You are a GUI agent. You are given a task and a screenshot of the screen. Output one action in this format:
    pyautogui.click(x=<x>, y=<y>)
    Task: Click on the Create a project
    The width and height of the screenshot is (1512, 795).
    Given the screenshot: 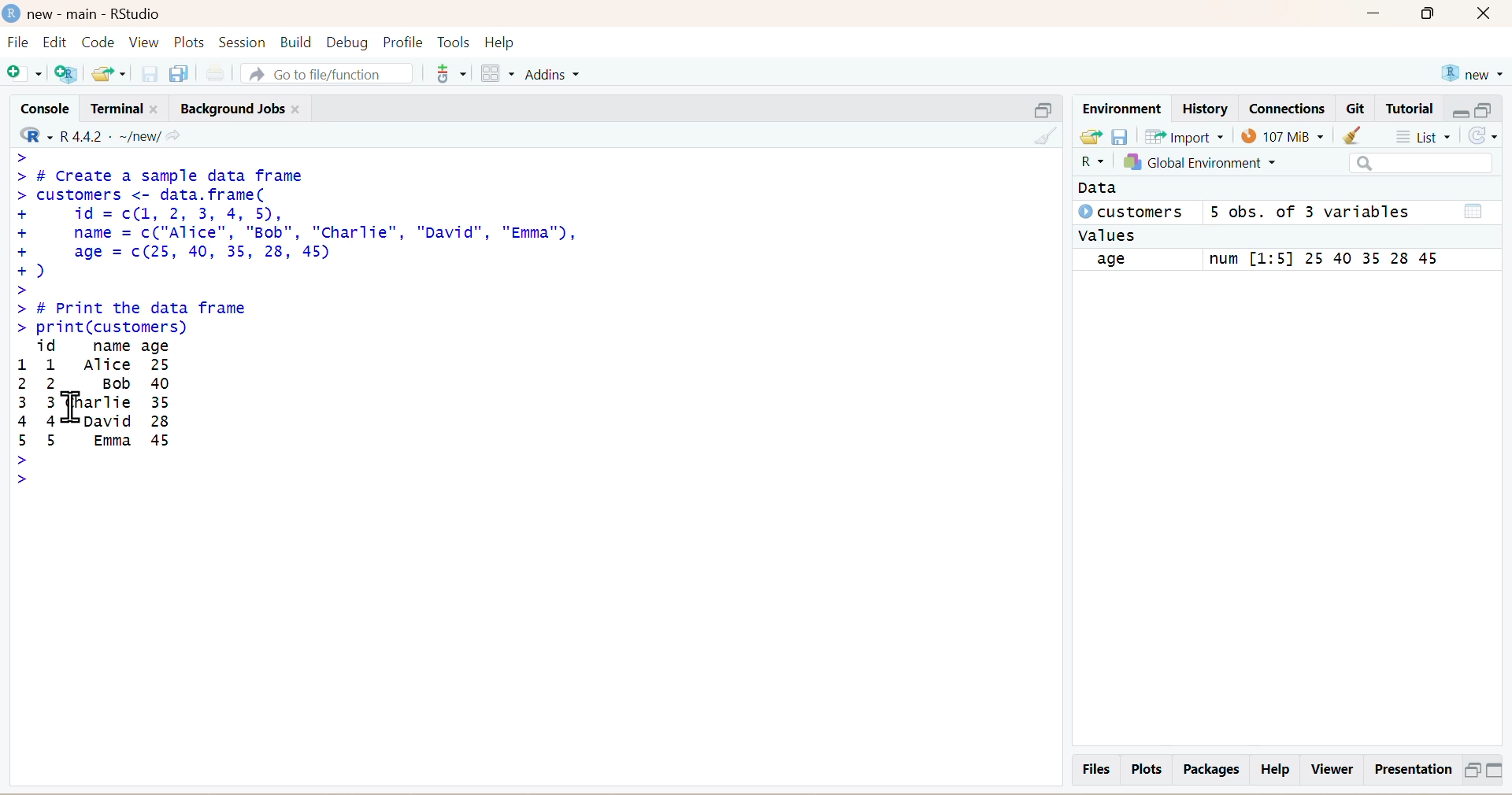 What is the action you would take?
    pyautogui.click(x=70, y=72)
    